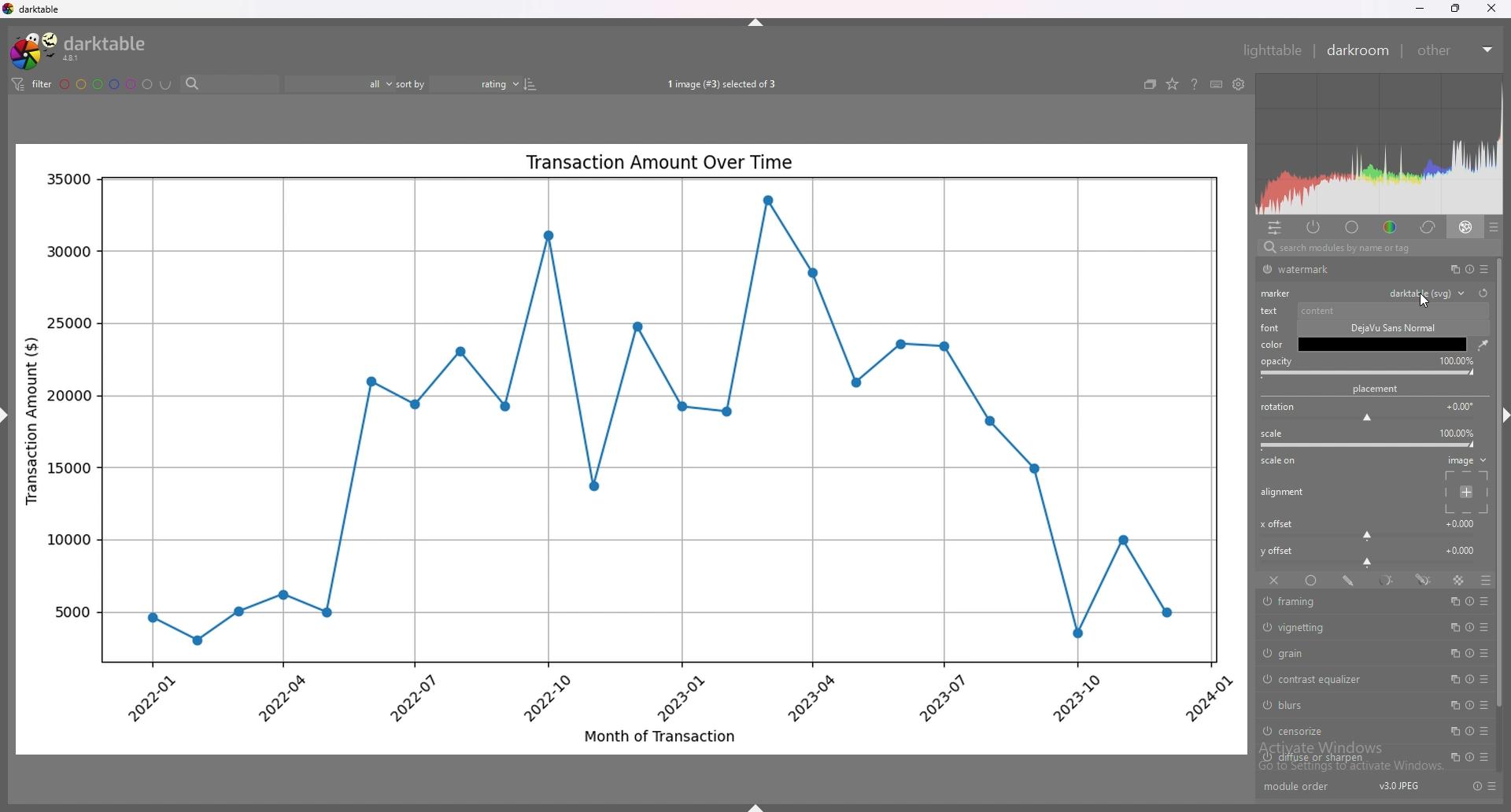 This screenshot has width=1511, height=812. I want to click on rotation bar, so click(1366, 419).